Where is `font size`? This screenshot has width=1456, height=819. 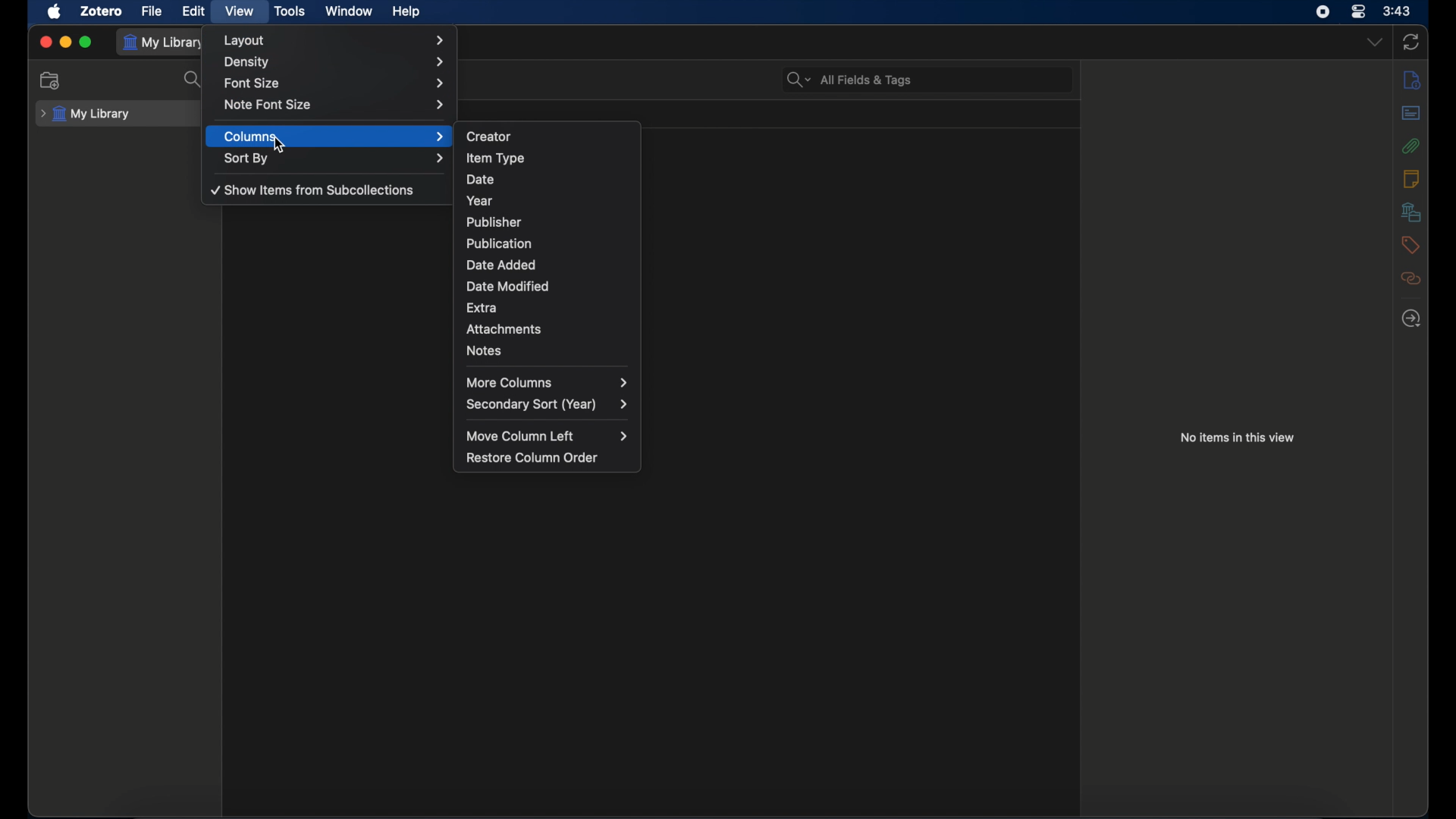
font size is located at coordinates (334, 82).